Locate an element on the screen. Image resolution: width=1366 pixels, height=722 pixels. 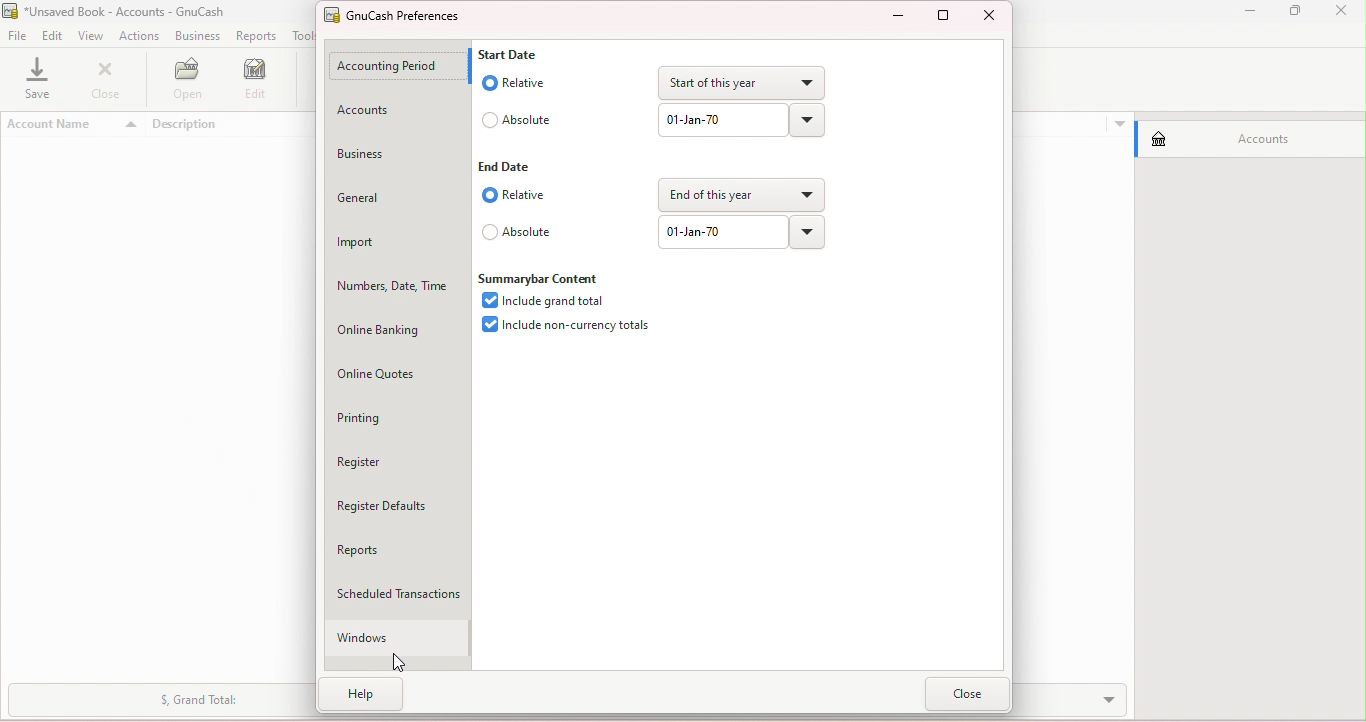
Import is located at coordinates (395, 236).